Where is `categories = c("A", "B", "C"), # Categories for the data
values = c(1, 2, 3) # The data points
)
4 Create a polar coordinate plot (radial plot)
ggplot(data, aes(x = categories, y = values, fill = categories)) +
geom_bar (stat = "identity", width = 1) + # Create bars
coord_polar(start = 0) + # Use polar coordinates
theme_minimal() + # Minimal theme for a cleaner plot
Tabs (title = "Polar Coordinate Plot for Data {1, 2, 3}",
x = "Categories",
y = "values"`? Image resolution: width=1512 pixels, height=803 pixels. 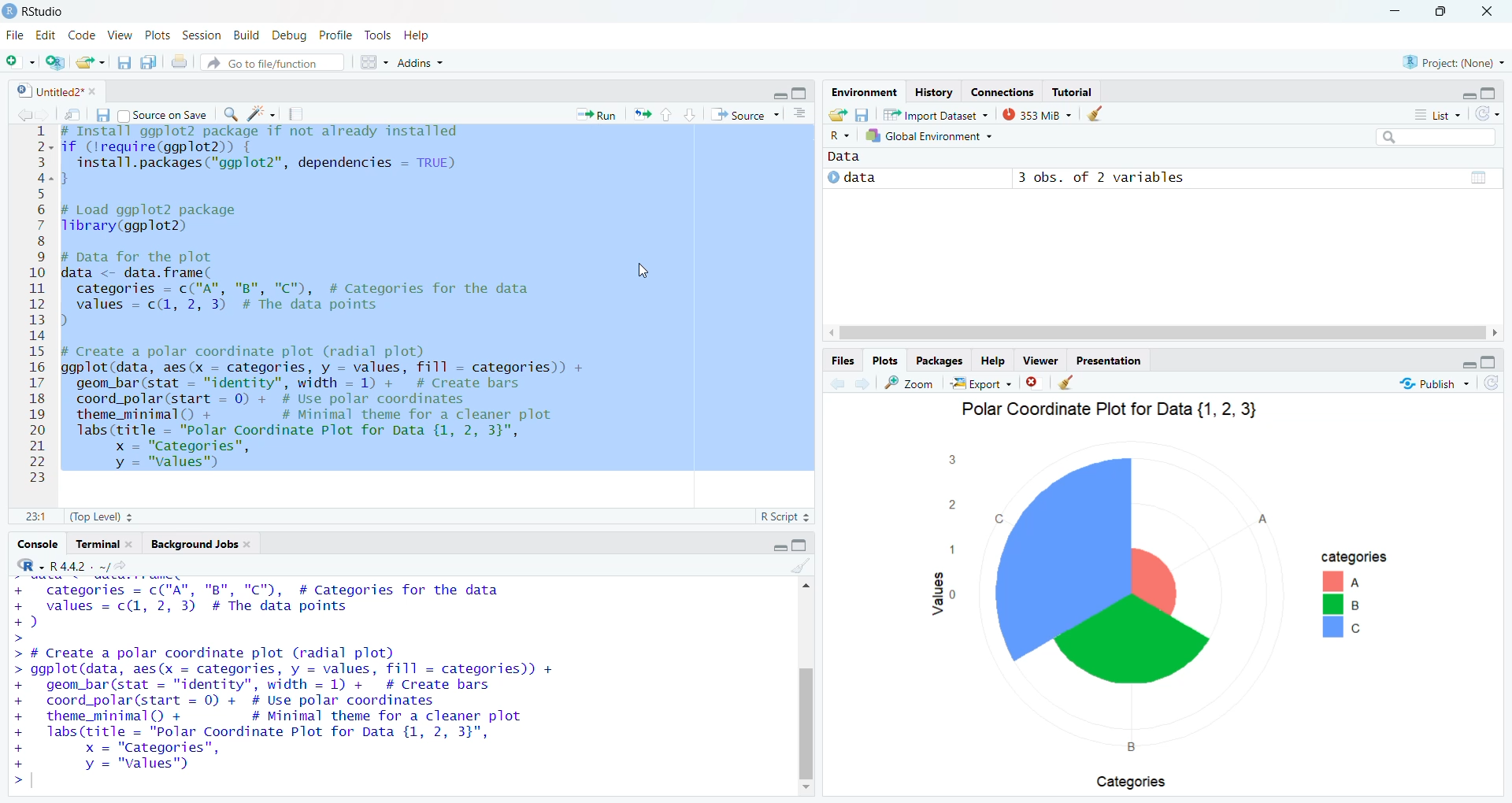 categories = c("A", "B", "C"), # Categories for the data
values = c(1, 2, 3) # The data points
)
4 Create a polar coordinate plot (radial plot)
ggplot(data, aes(x = categories, y = values, fill = categories)) +
geom_bar (stat = "identity", width = 1) + # Create bars
coord_polar(start = 0) + # Use polar coordinates
theme_minimal() + # Minimal theme for a cleaner plot
Tabs (title = "Polar Coordinate Plot for Data {1, 2, 3}",
x = "Categories",
y = "values" is located at coordinates (310, 685).